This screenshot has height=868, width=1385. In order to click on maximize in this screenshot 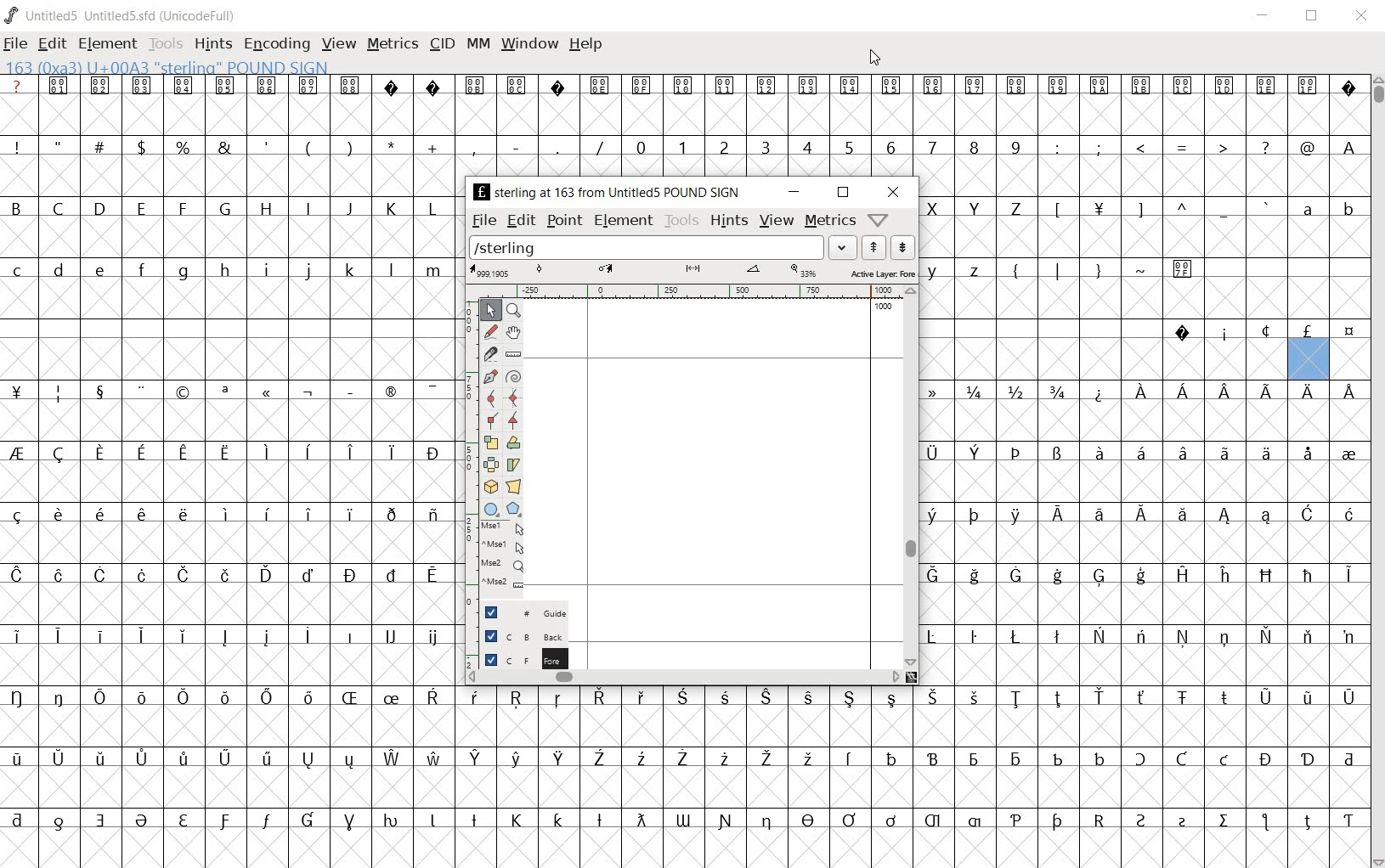, I will do `click(1310, 17)`.